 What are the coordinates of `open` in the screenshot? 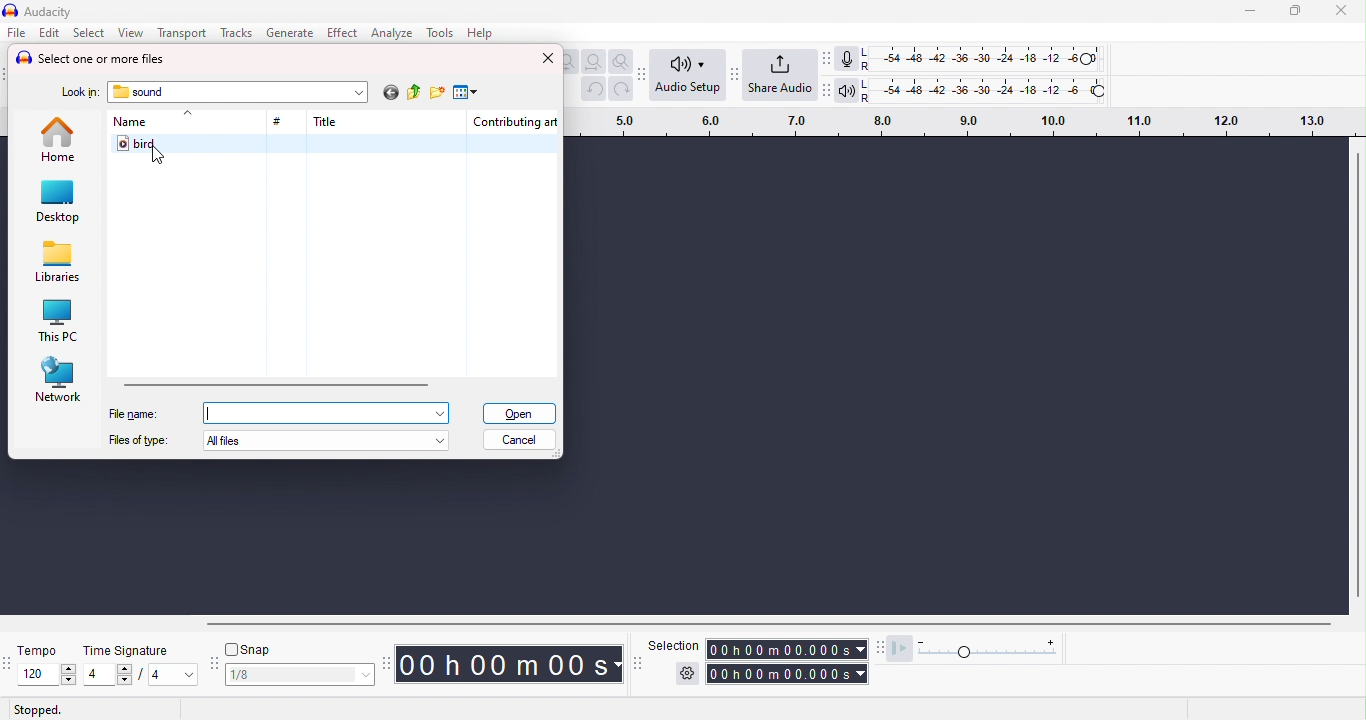 It's located at (519, 413).